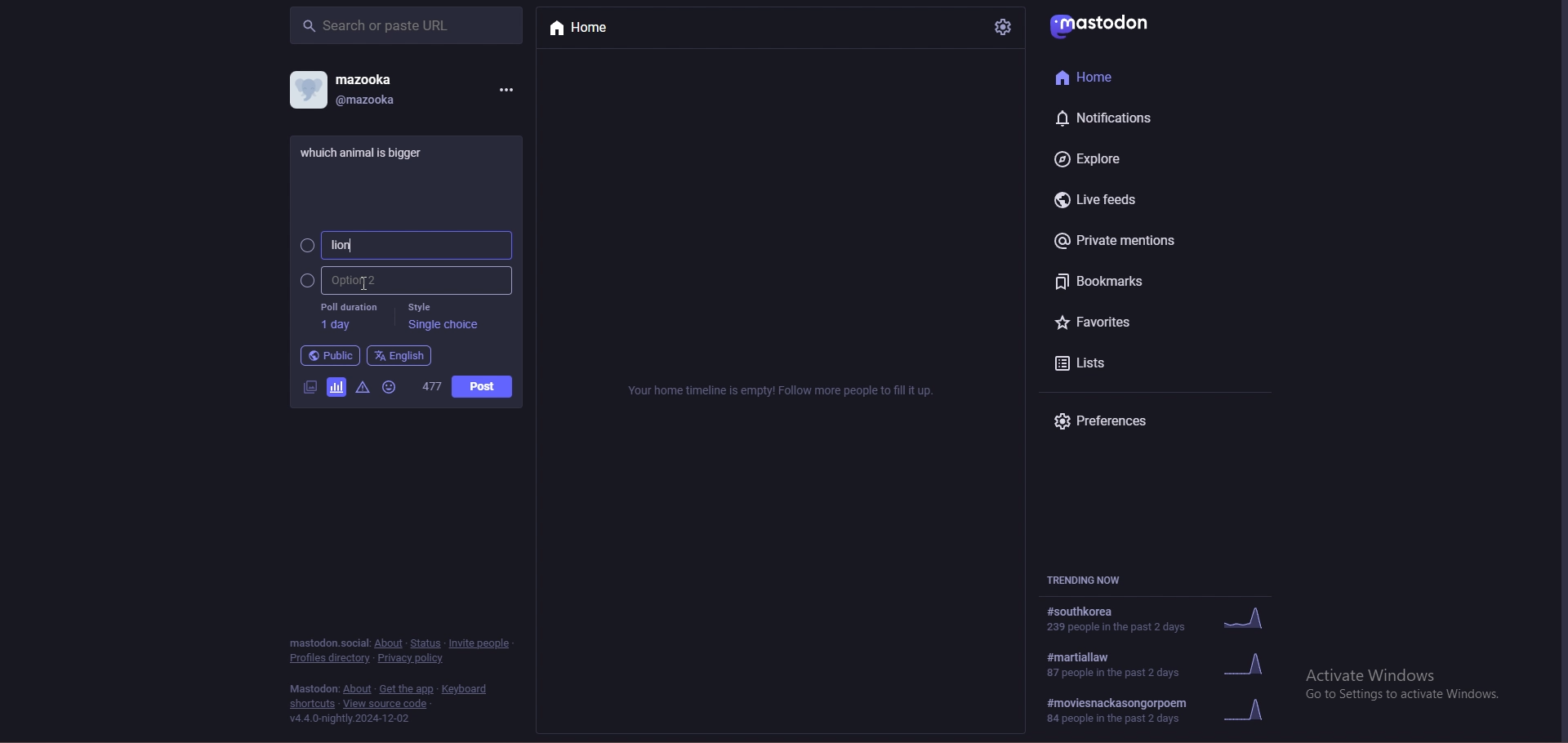  Describe the element at coordinates (406, 24) in the screenshot. I see `search bar` at that location.